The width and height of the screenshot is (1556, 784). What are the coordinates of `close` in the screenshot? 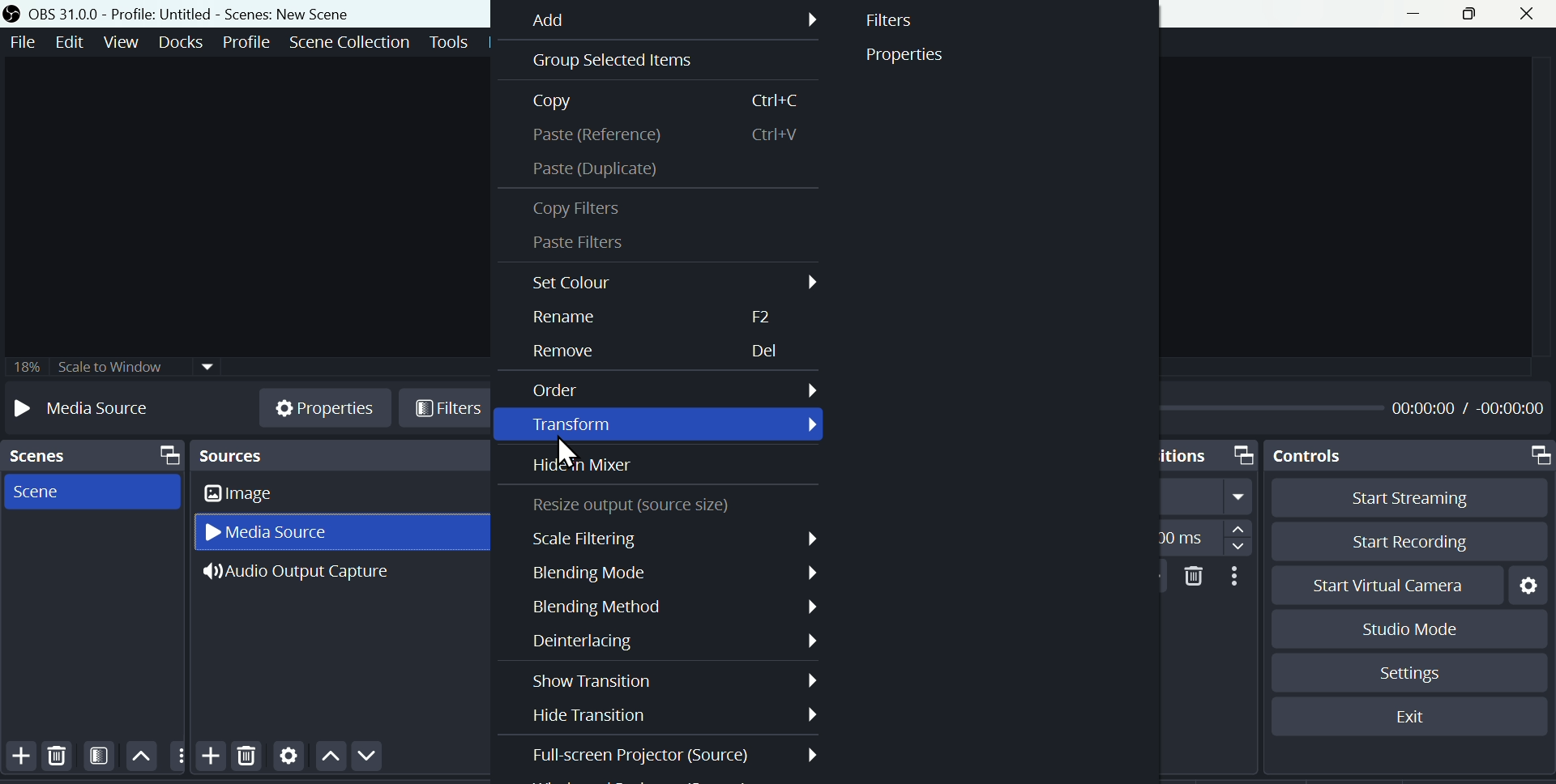 It's located at (1528, 15).